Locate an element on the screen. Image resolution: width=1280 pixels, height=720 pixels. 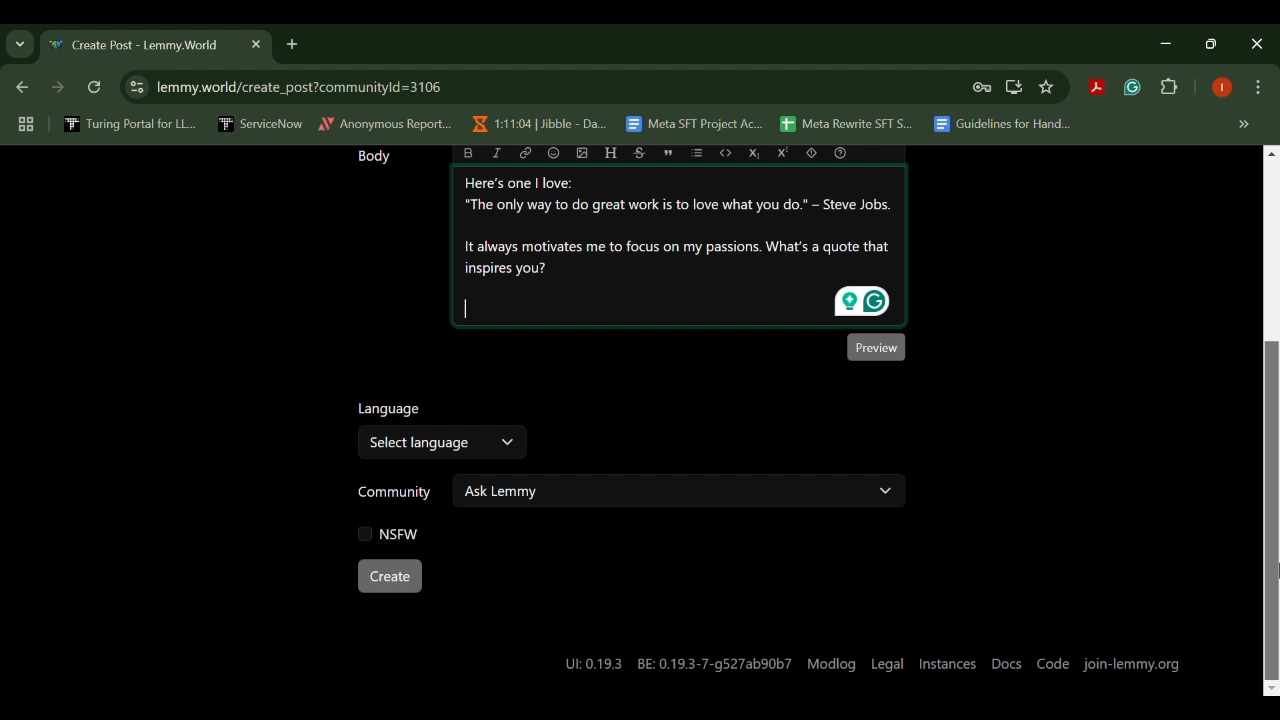
bold is located at coordinates (469, 153).